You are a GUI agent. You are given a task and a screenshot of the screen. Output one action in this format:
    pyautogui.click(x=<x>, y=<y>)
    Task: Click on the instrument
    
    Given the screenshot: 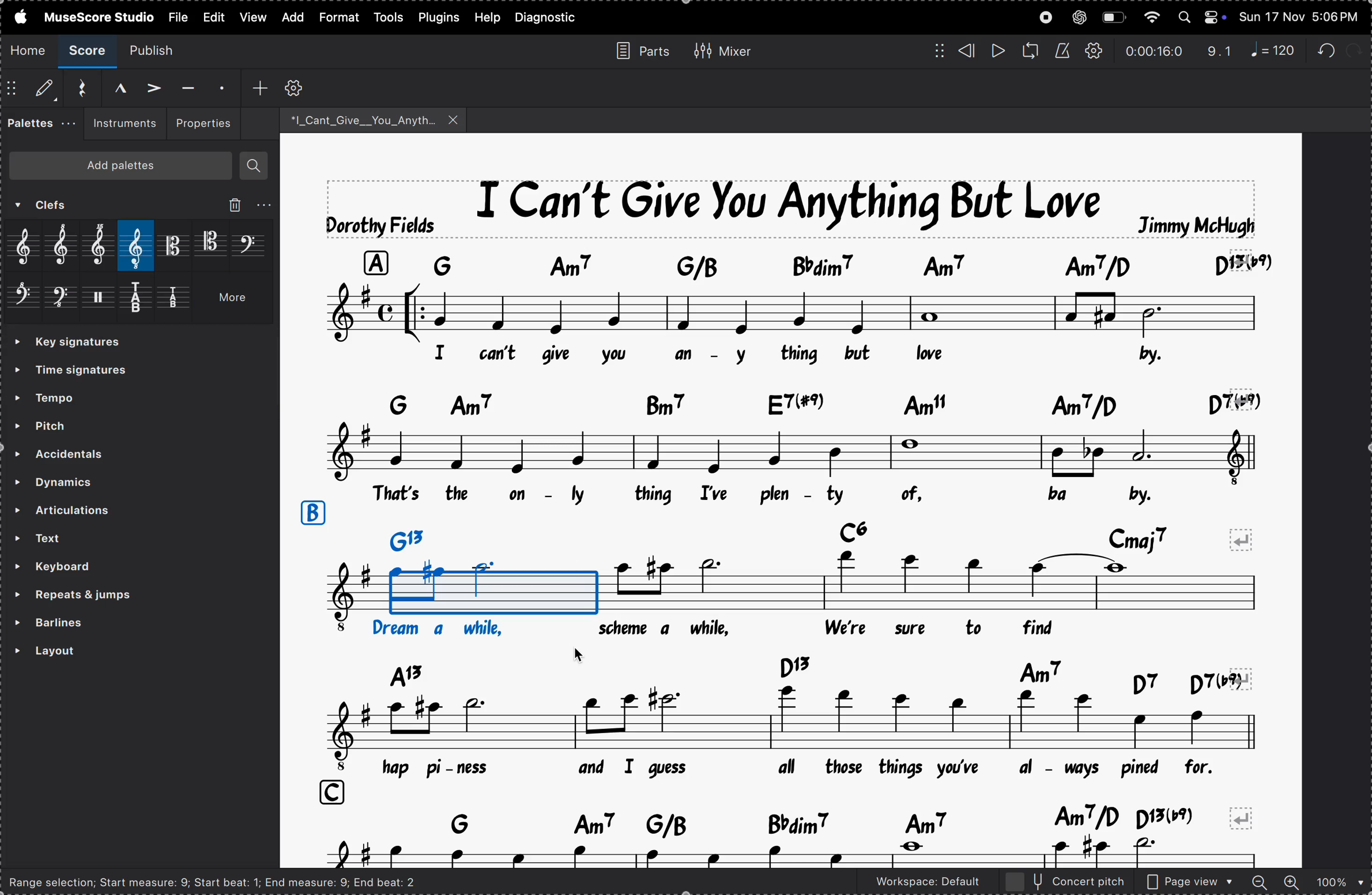 What is the action you would take?
    pyautogui.click(x=120, y=124)
    